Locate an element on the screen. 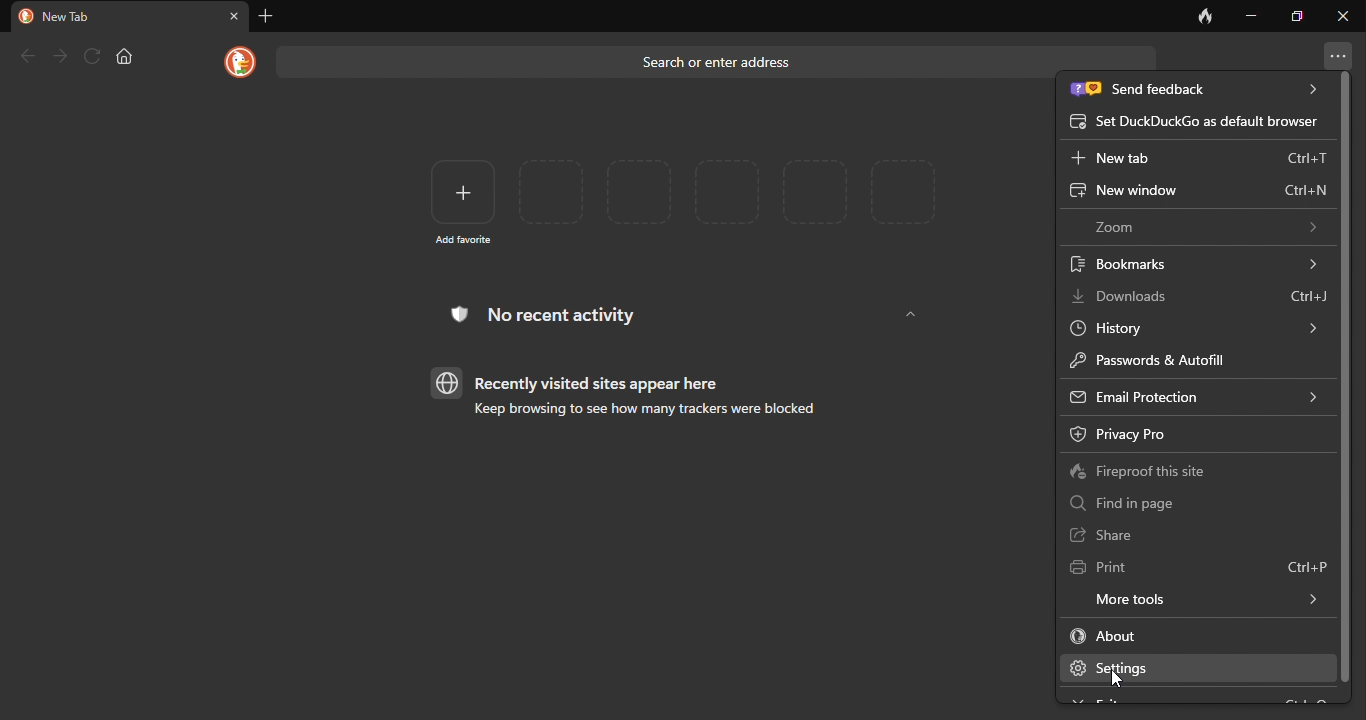 The height and width of the screenshot is (720, 1366). cursor movement is located at coordinates (1121, 682).